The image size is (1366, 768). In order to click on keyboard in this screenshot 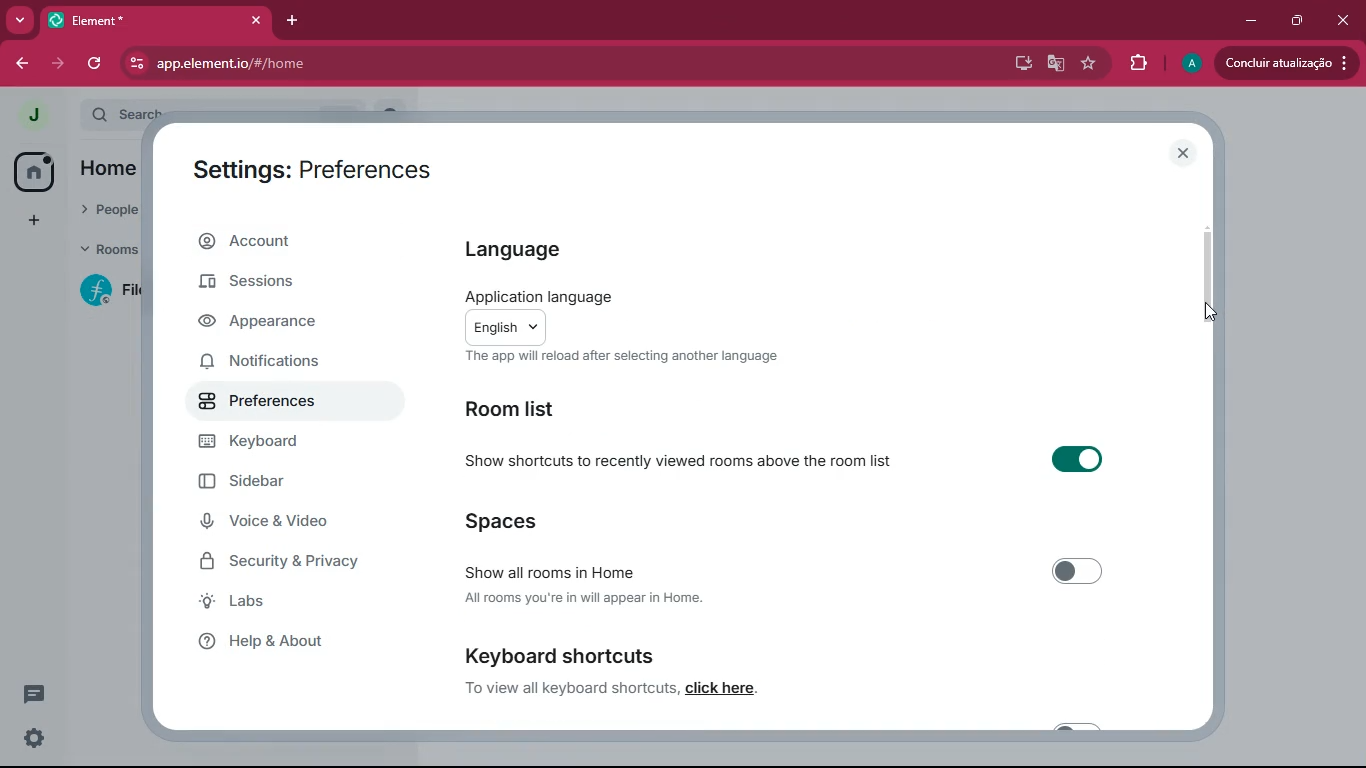, I will do `click(287, 443)`.